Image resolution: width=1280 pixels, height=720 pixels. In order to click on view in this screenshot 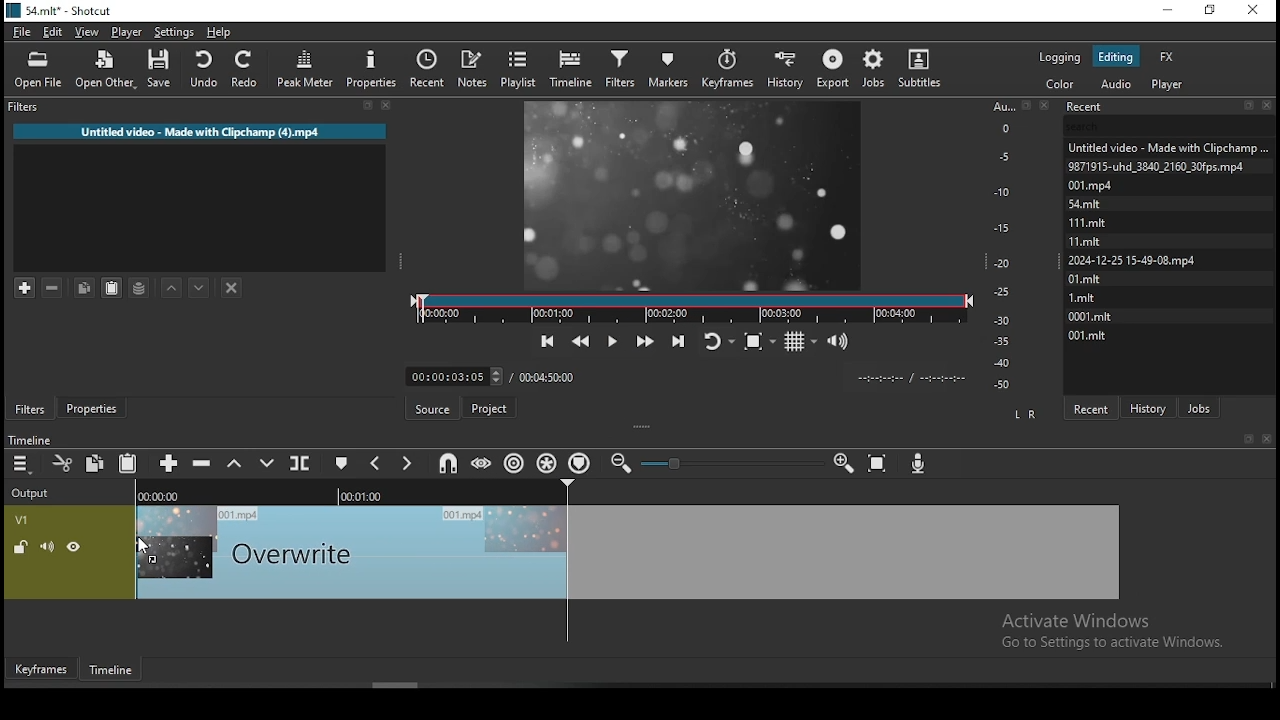, I will do `click(87, 32)`.